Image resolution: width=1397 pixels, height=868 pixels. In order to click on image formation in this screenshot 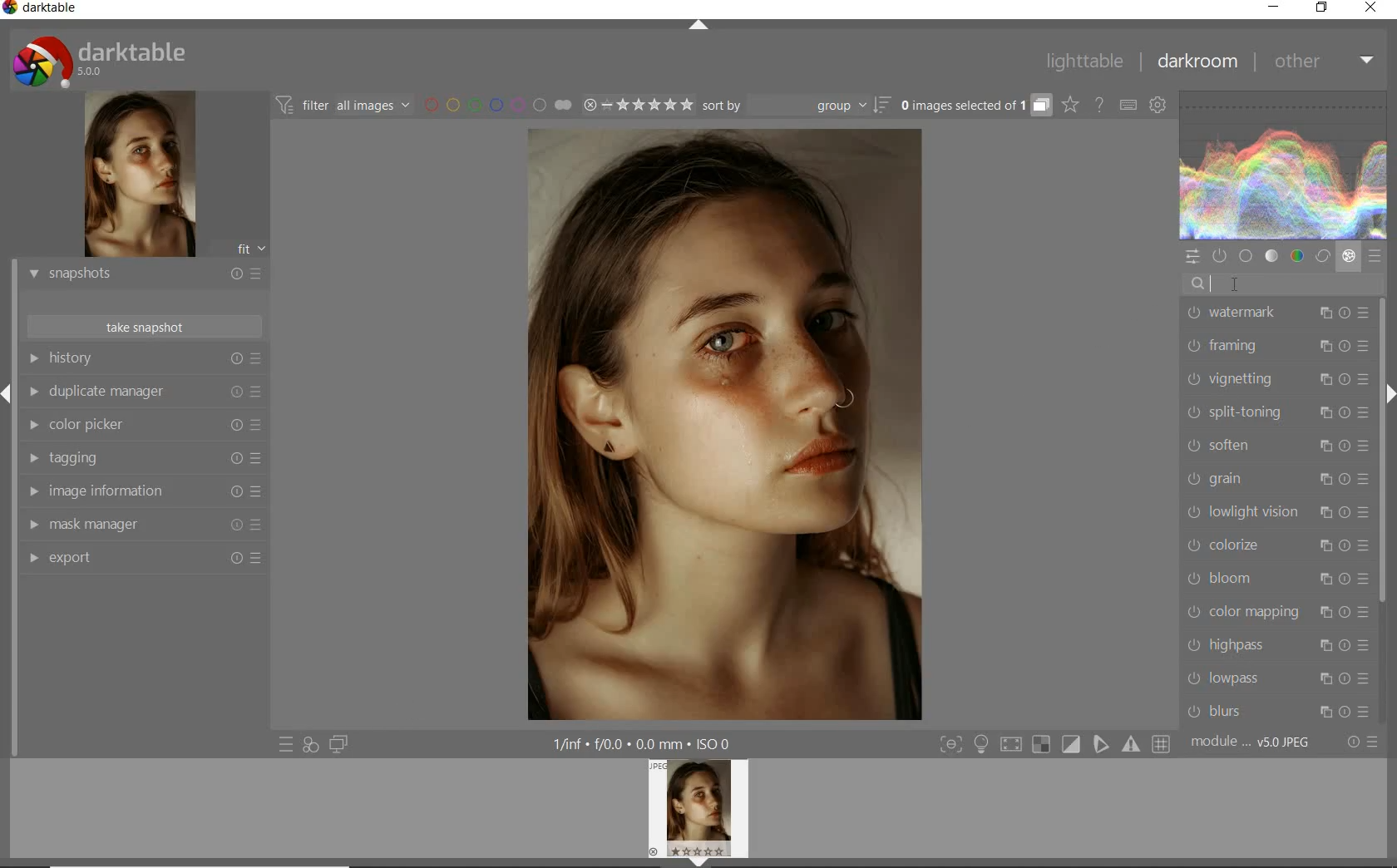, I will do `click(141, 491)`.